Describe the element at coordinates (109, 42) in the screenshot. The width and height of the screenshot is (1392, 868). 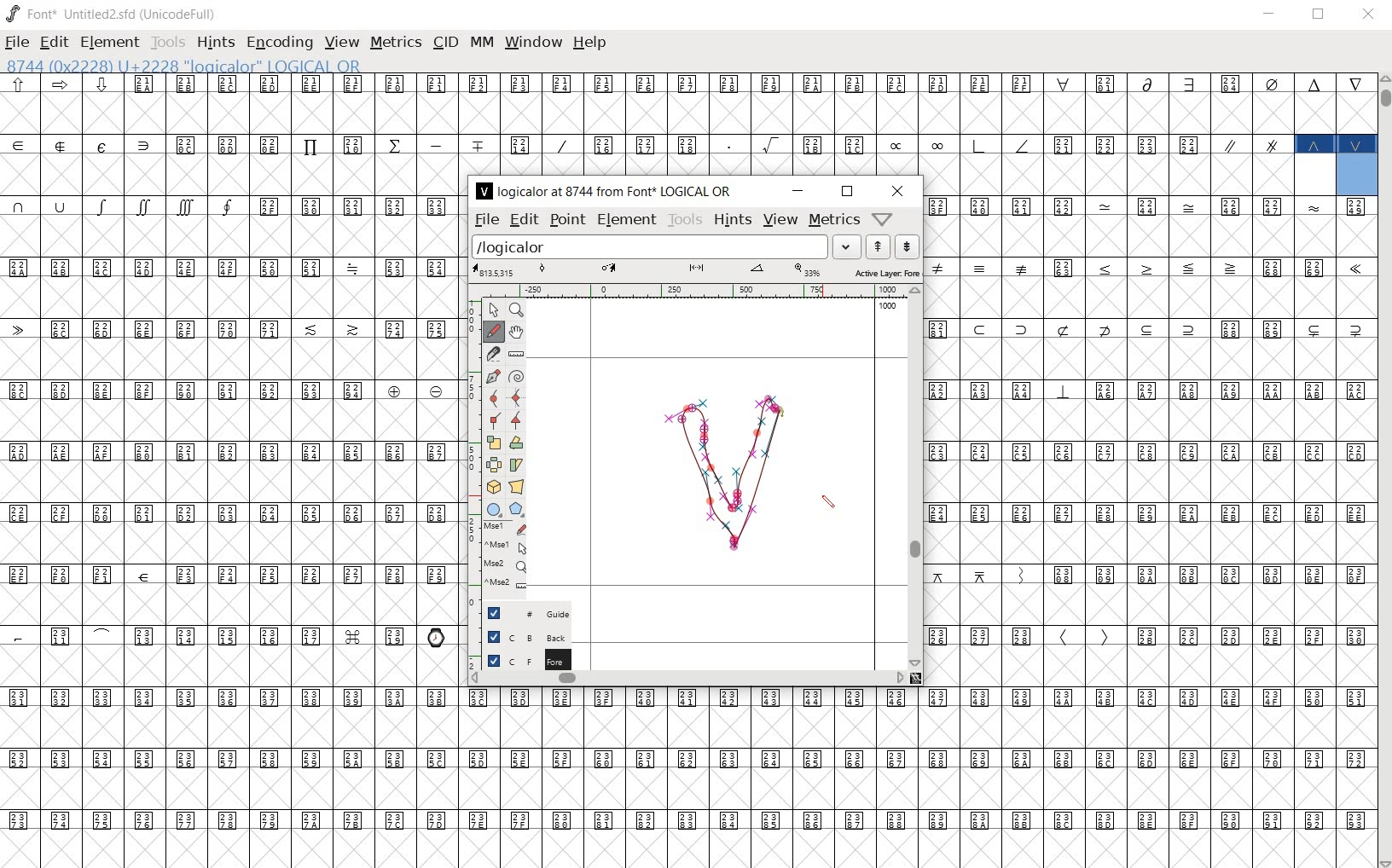
I see `element` at that location.